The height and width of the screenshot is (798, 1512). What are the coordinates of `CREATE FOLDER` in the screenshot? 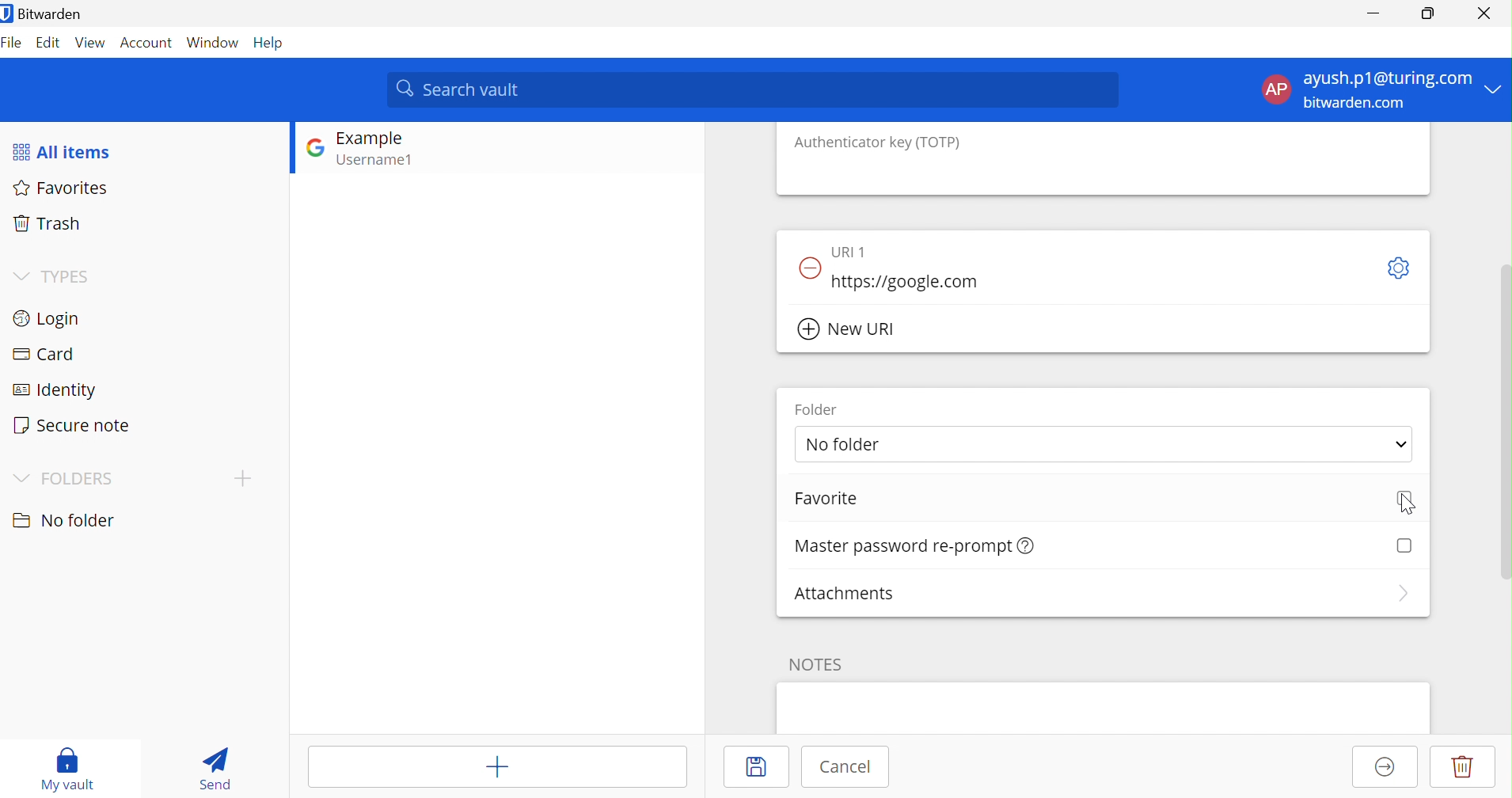 It's located at (246, 481).